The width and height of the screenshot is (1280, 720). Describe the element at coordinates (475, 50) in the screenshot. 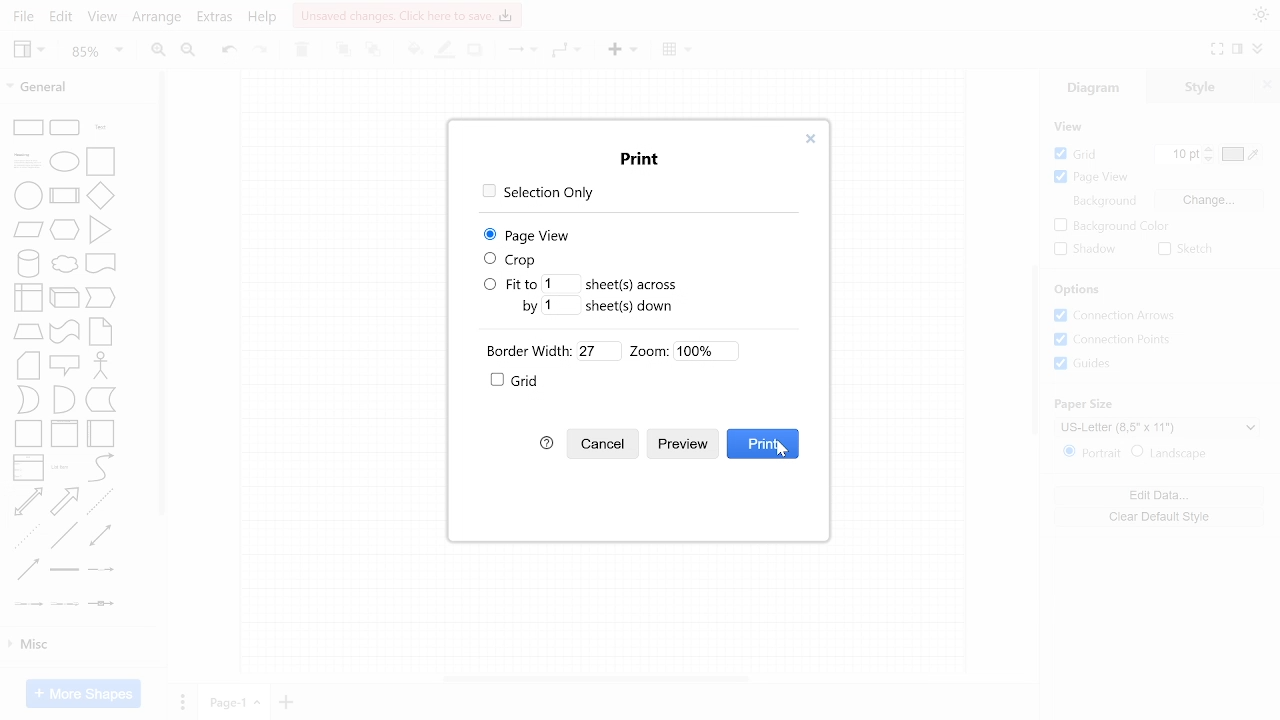

I see `Shadow ` at that location.